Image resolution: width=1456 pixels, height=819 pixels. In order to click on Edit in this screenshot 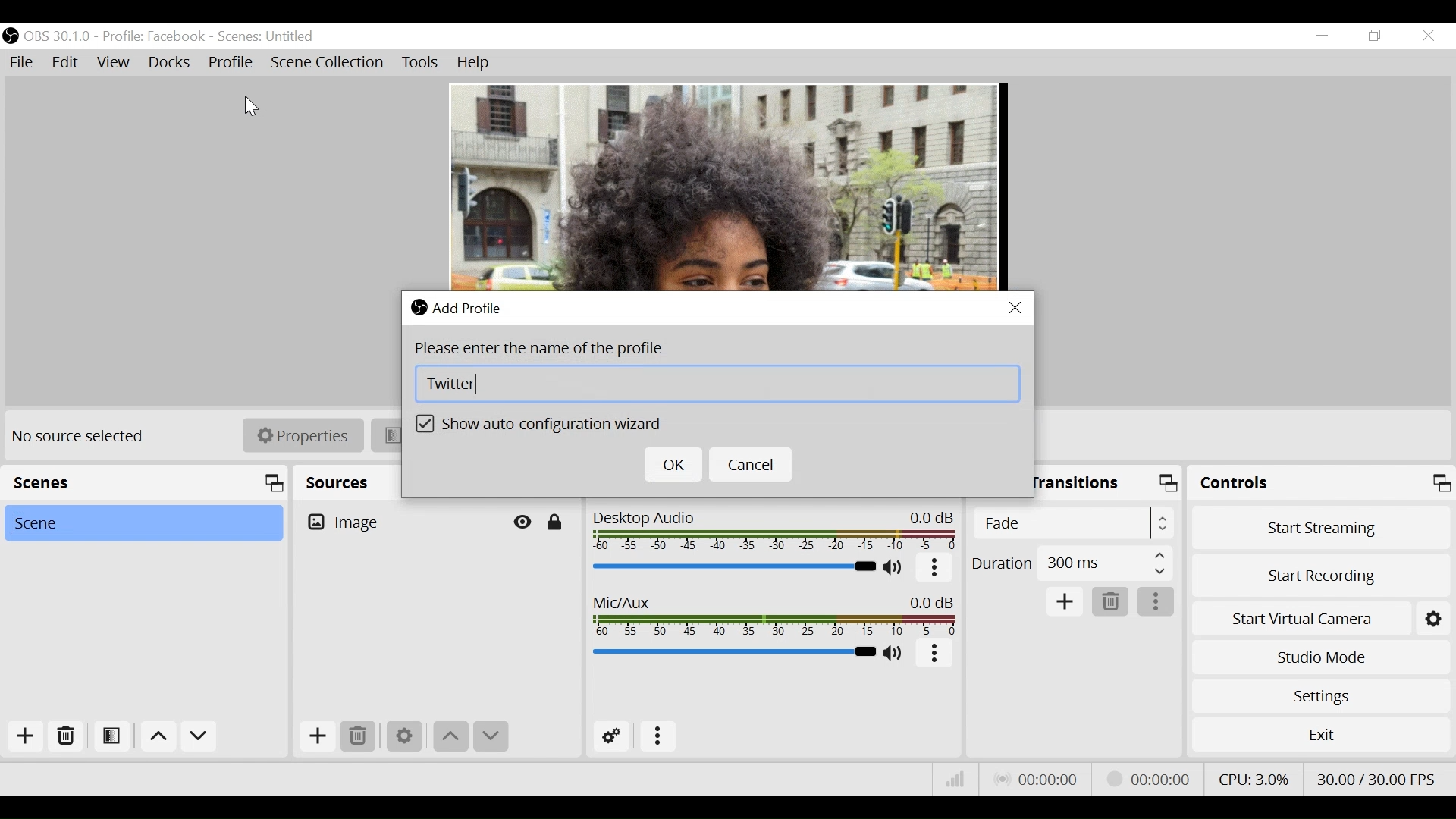, I will do `click(67, 63)`.